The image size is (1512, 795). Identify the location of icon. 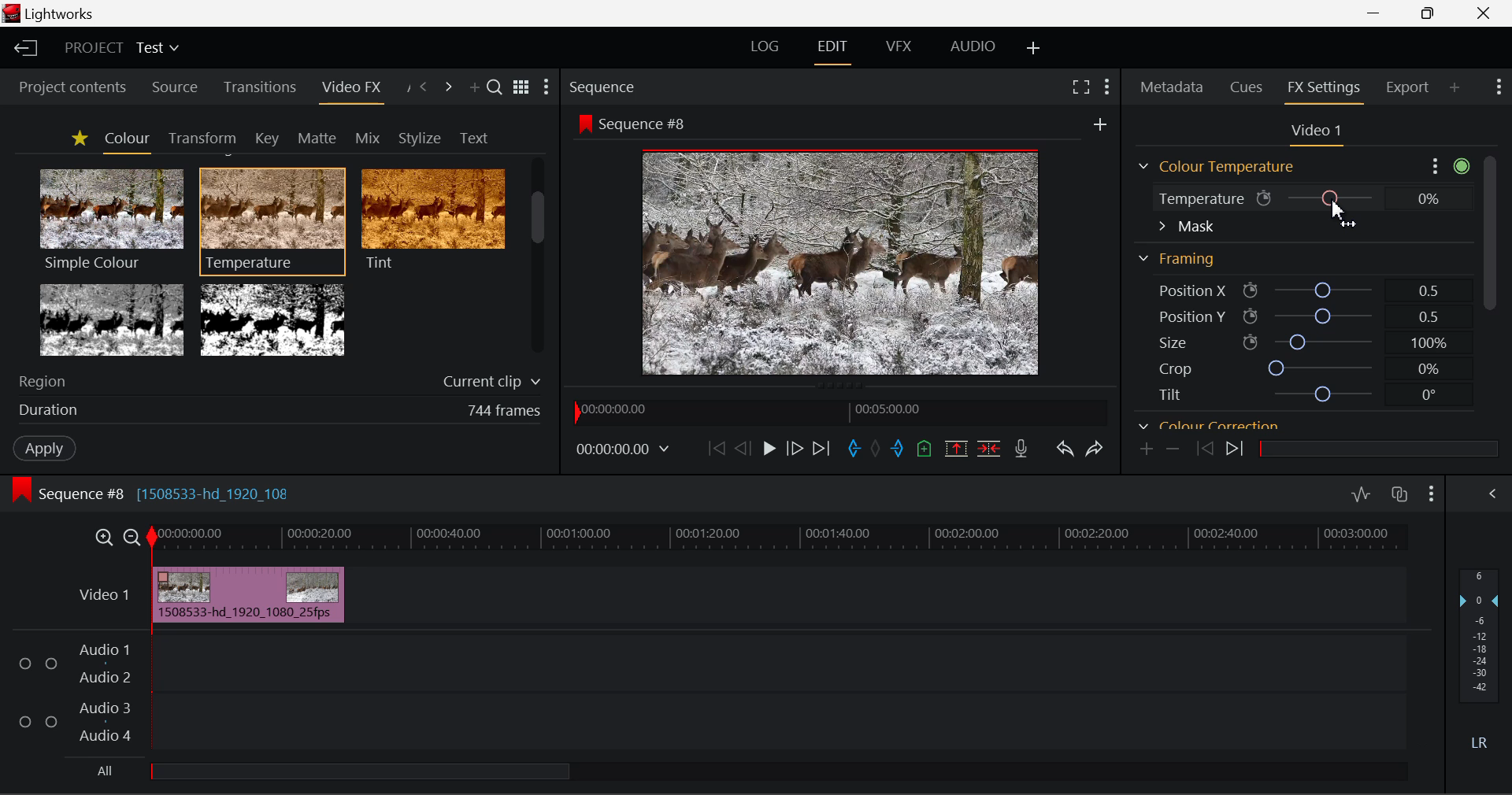
(22, 490).